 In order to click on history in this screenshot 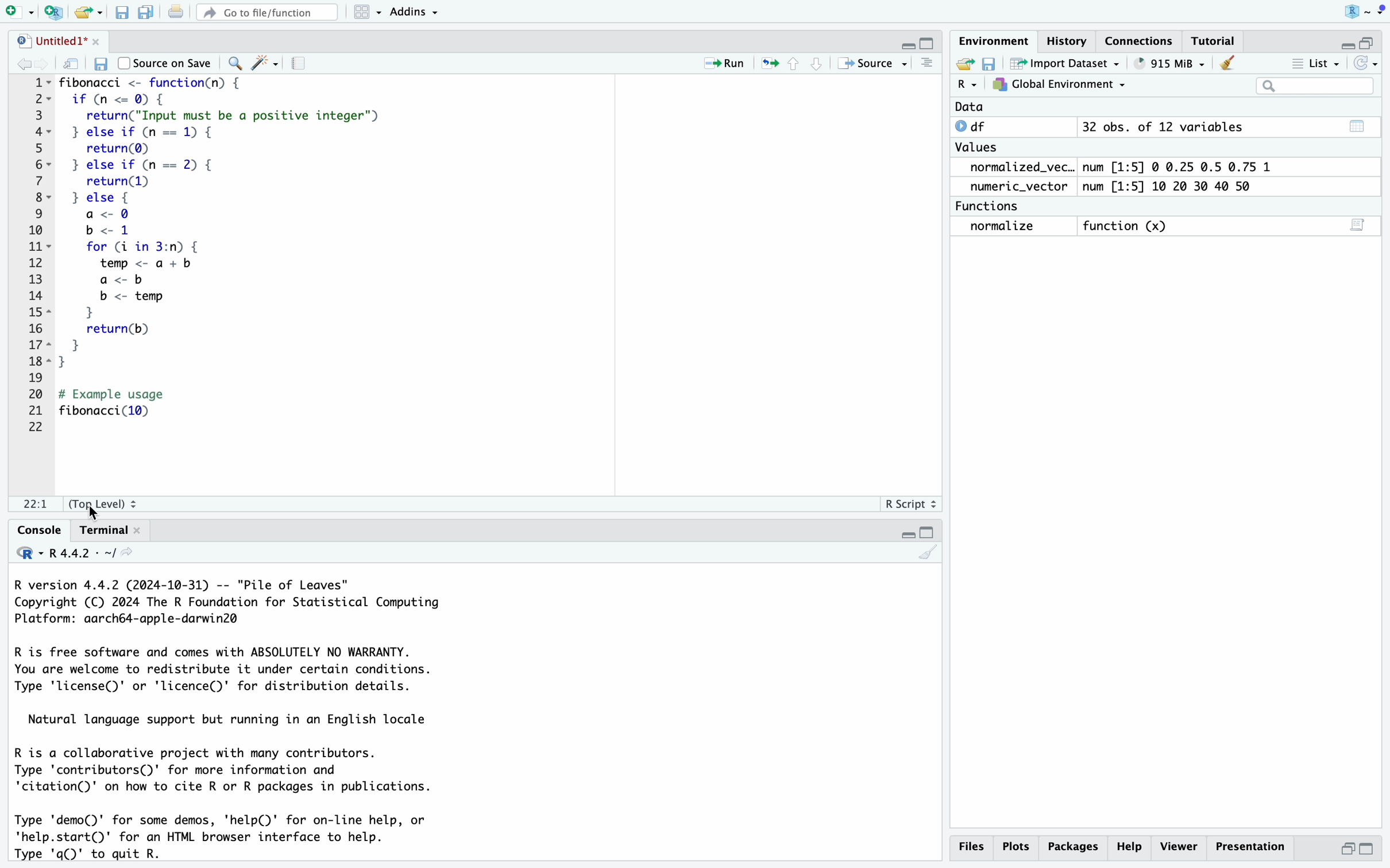, I will do `click(1064, 40)`.